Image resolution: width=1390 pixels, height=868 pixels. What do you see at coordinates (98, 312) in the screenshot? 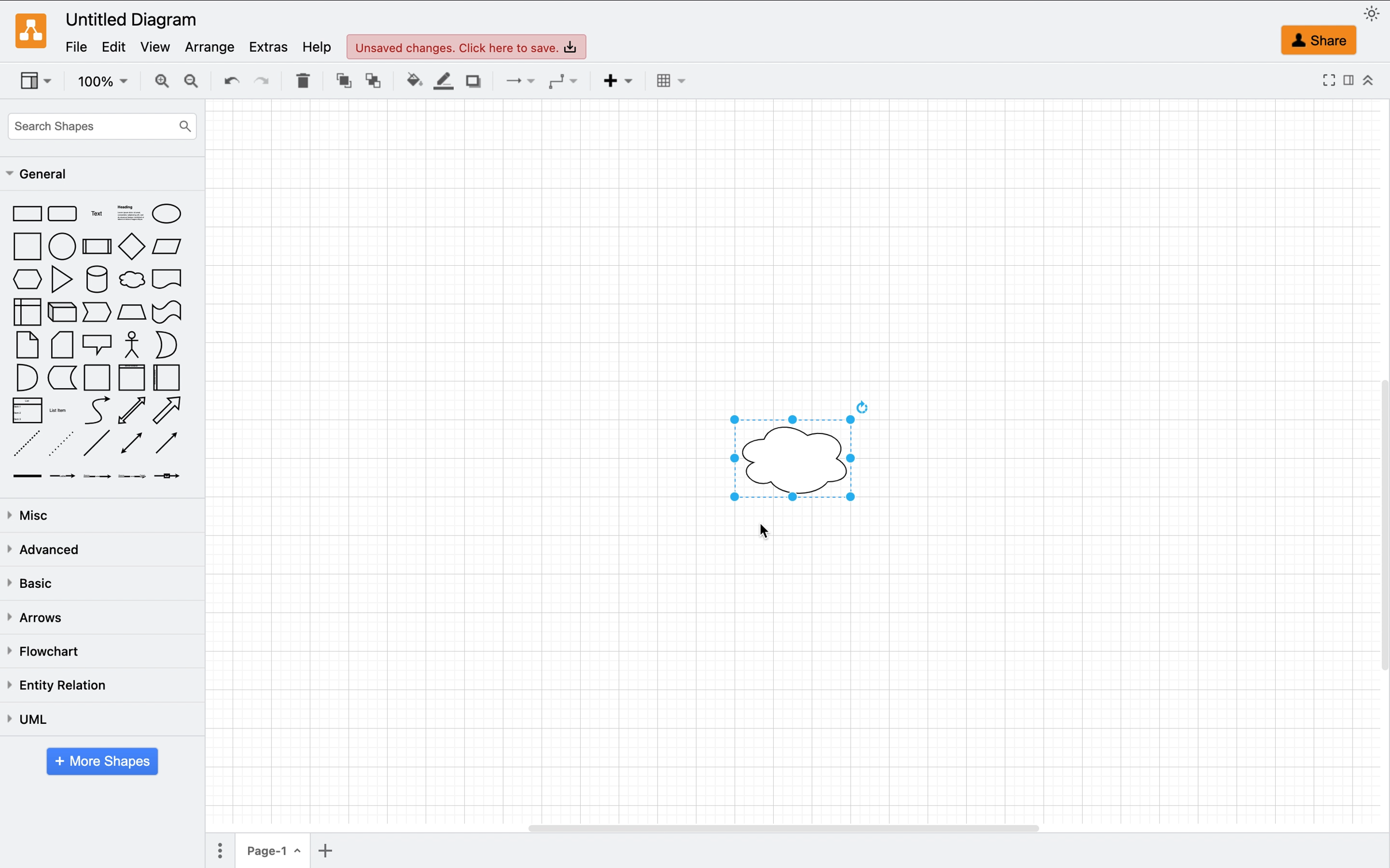
I see `step` at bounding box center [98, 312].